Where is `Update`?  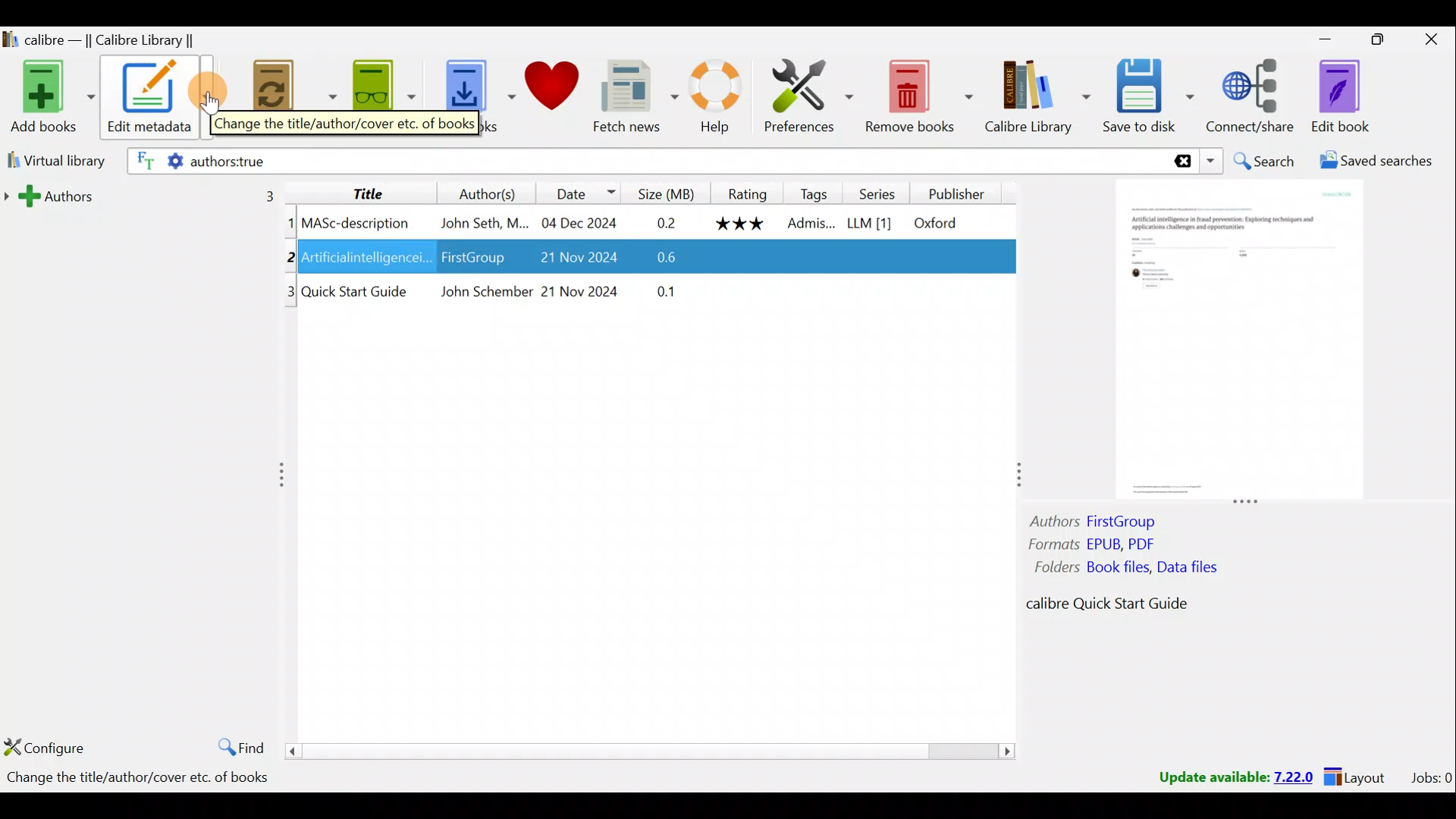 Update is located at coordinates (1234, 778).